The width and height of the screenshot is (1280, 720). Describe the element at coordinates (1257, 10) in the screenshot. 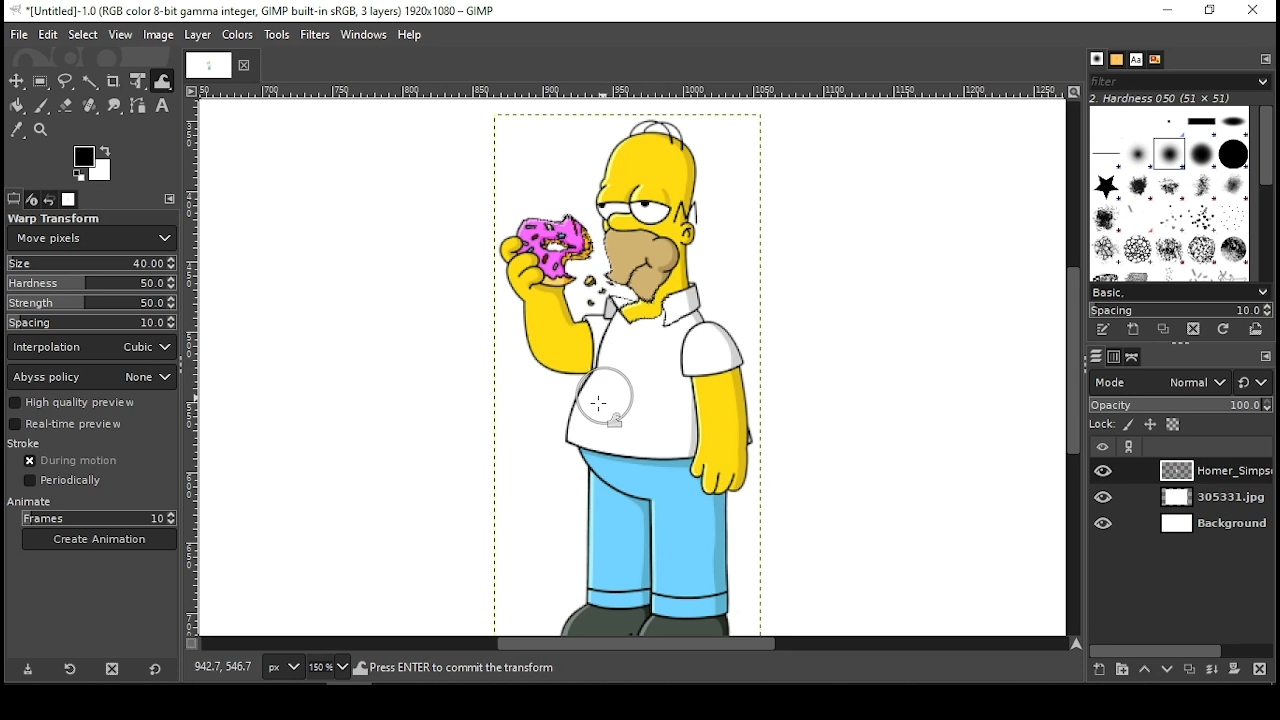

I see `close window` at that location.